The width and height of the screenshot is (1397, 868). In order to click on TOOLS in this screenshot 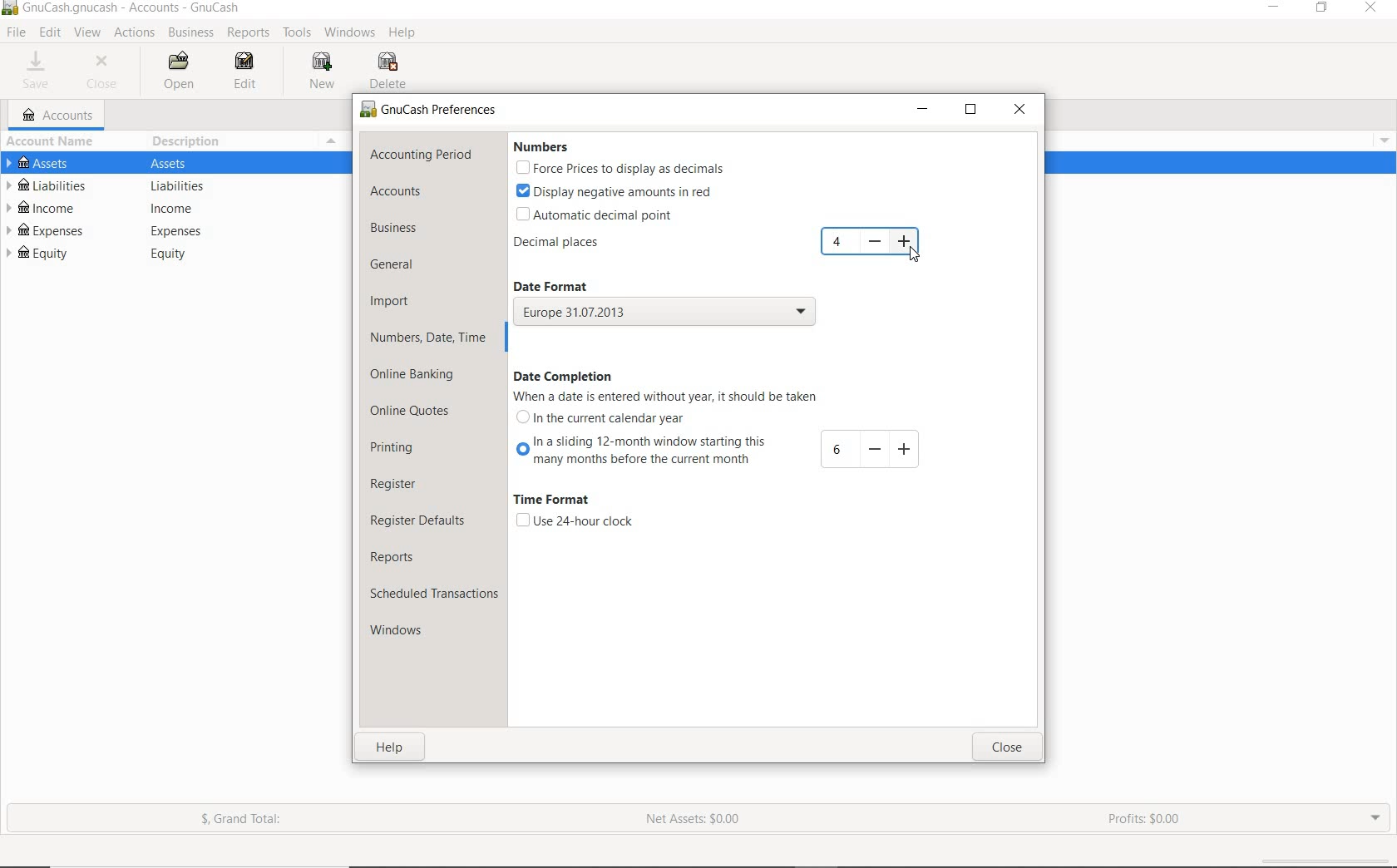, I will do `click(299, 33)`.